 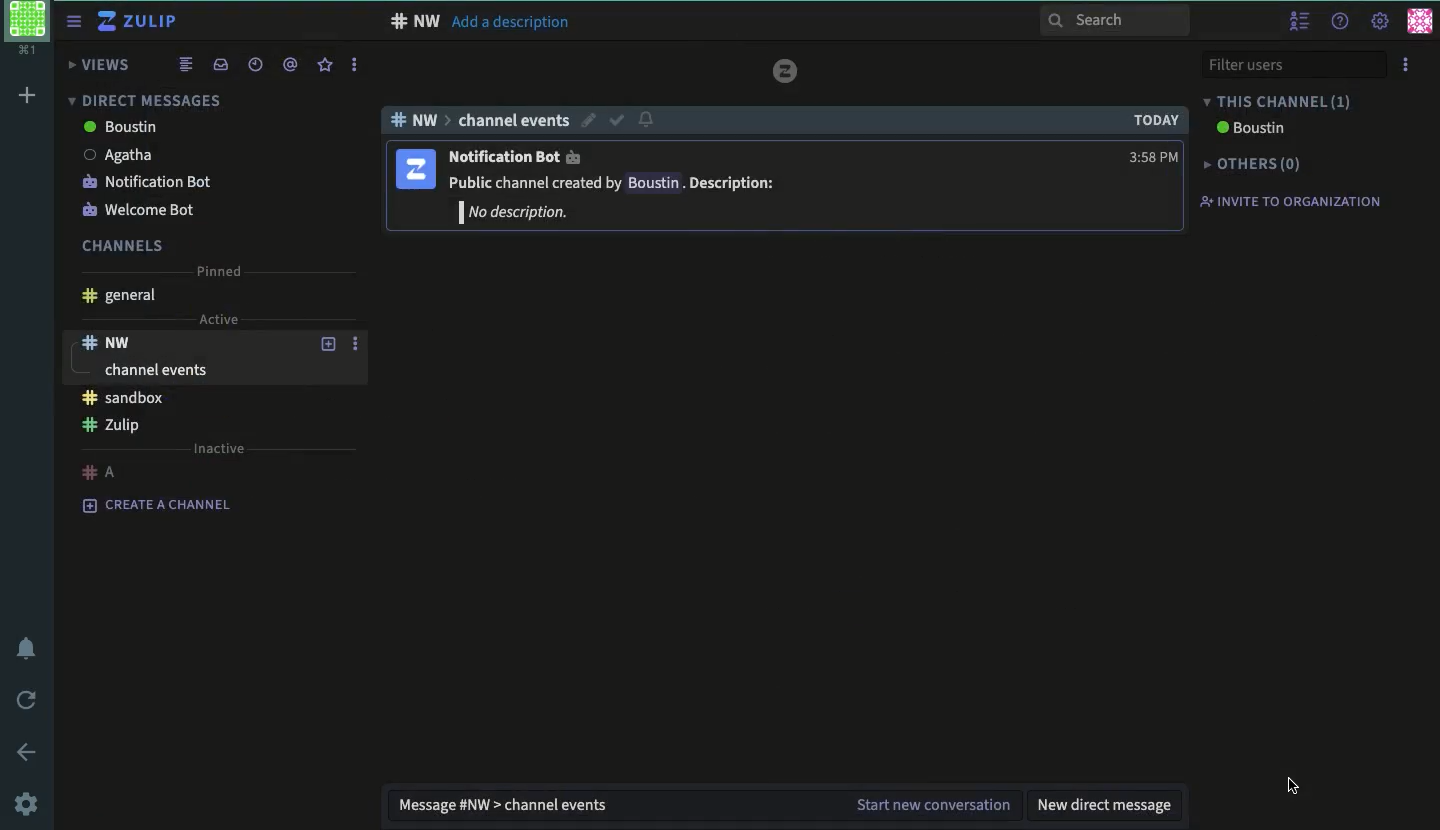 What do you see at coordinates (31, 751) in the screenshot?
I see `back` at bounding box center [31, 751].